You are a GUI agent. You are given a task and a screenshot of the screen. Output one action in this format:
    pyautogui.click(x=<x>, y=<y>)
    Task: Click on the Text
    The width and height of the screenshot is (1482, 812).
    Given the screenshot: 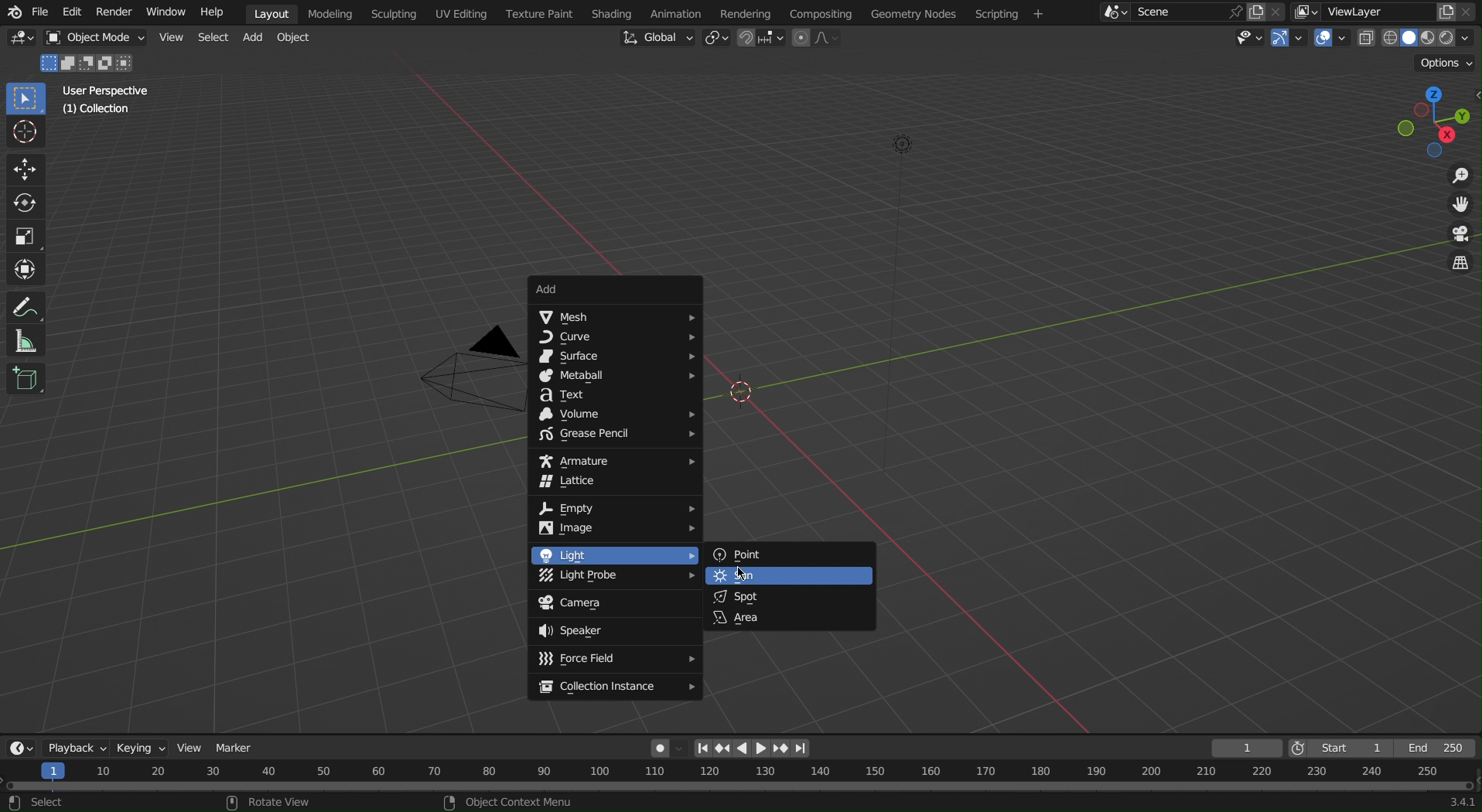 What is the action you would take?
    pyautogui.click(x=613, y=395)
    